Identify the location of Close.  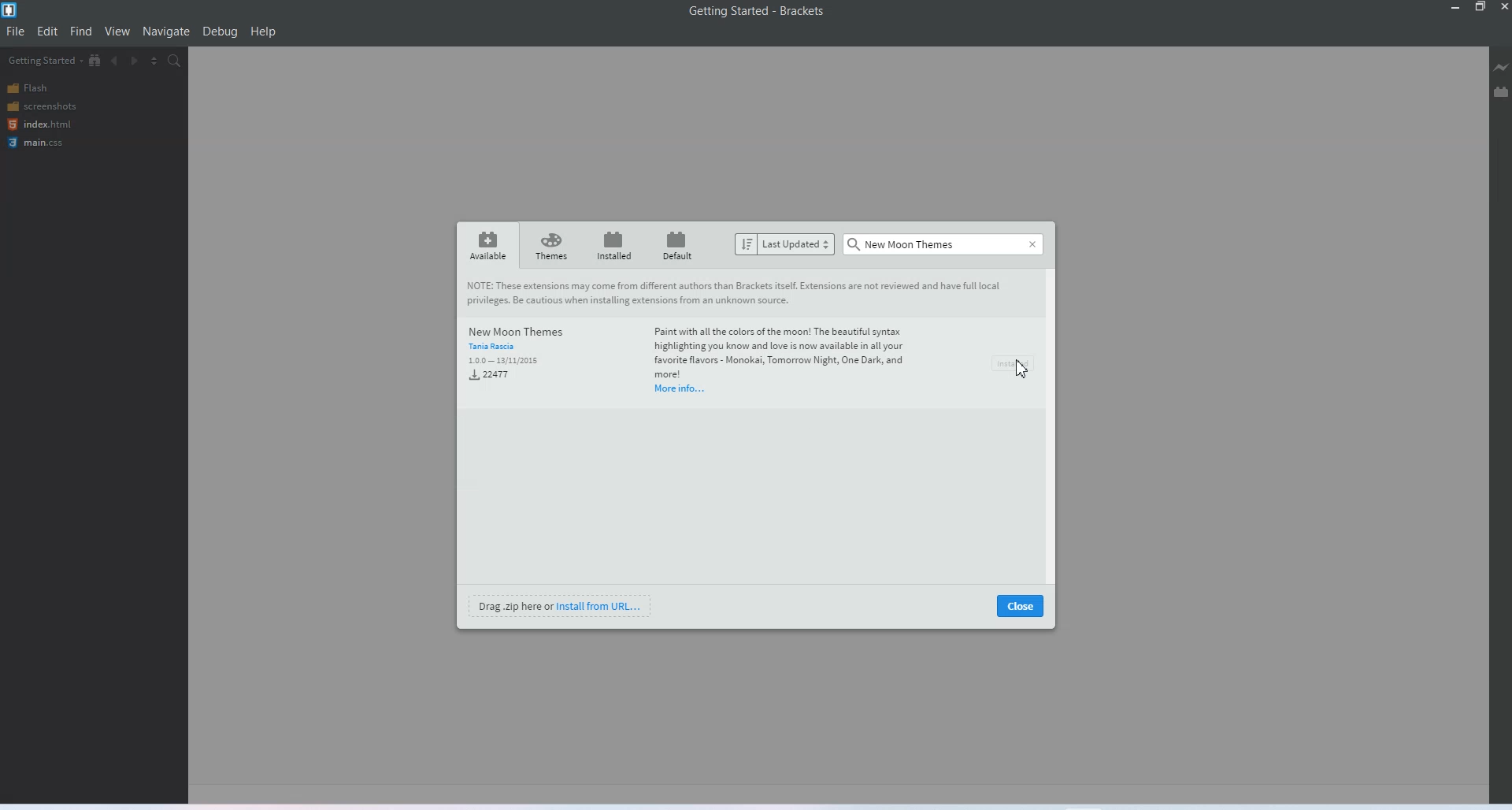
(1032, 244).